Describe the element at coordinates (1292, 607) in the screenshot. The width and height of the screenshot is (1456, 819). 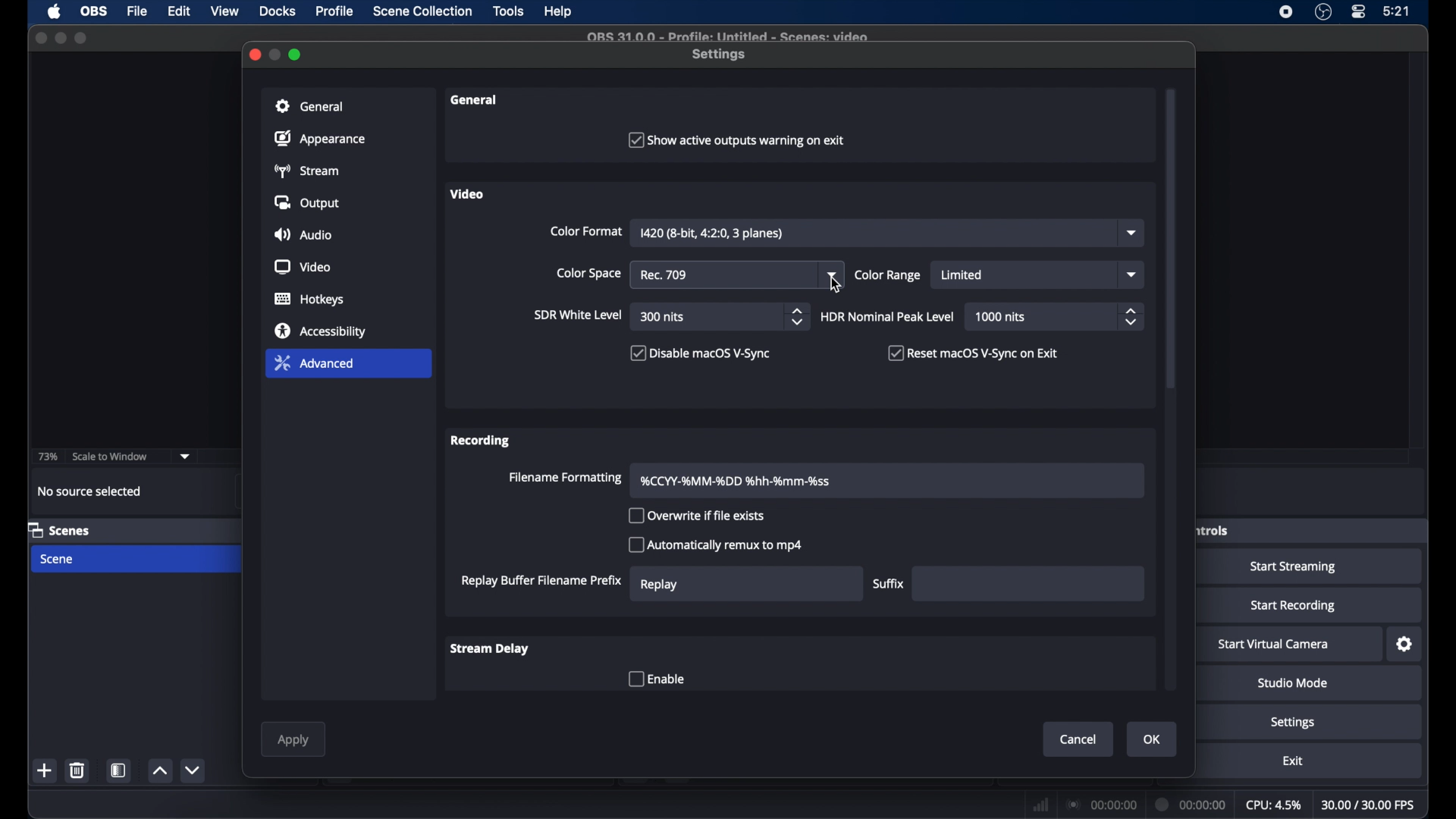
I see `start recording` at that location.